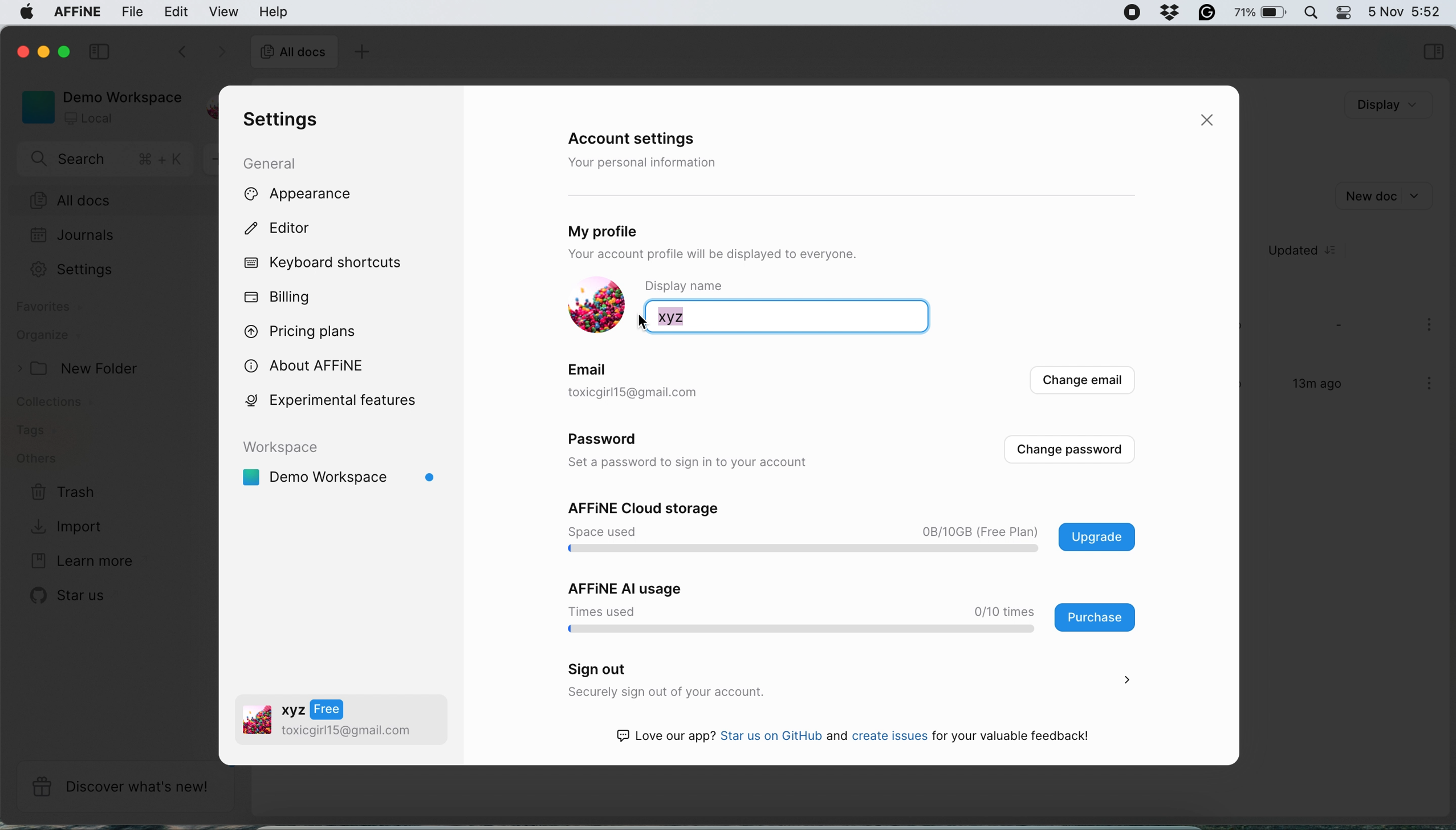 This screenshot has height=830, width=1456. I want to click on set a password to sign in to your account, so click(696, 463).